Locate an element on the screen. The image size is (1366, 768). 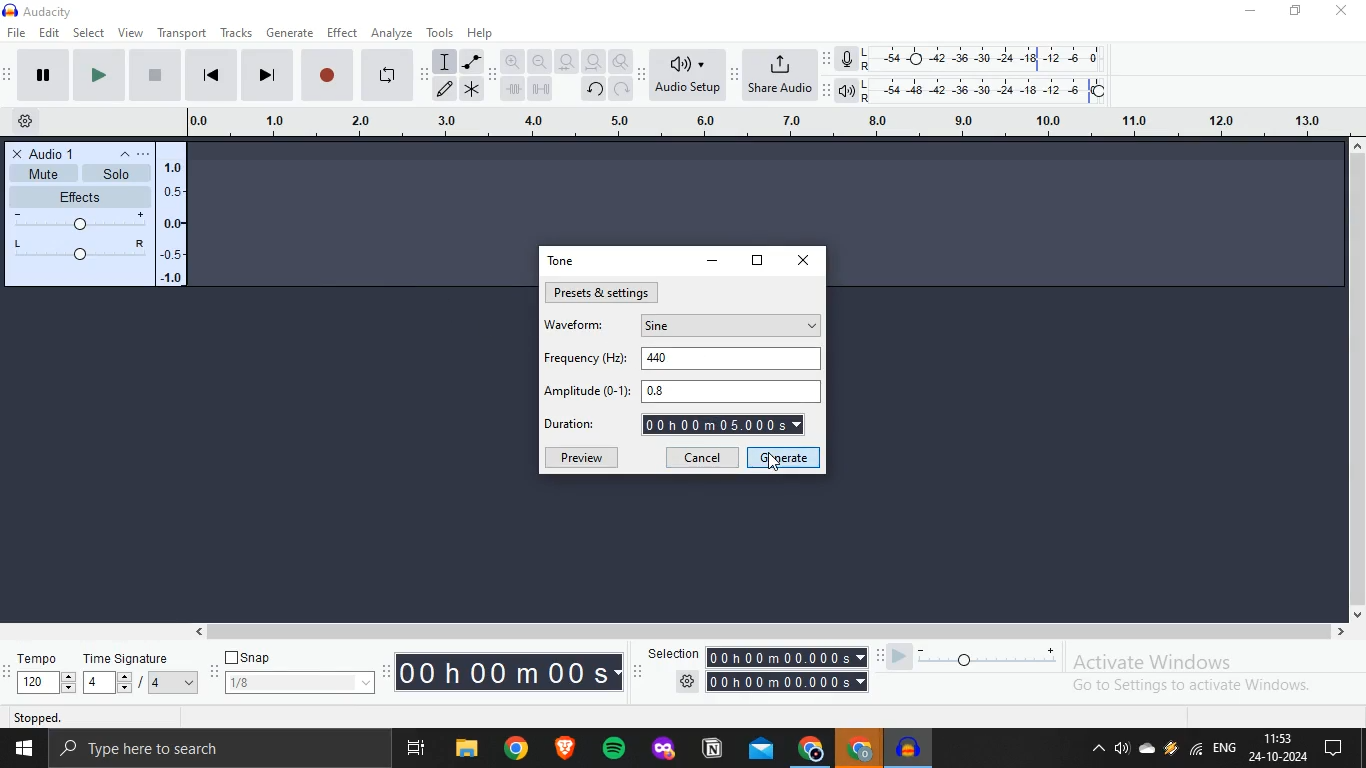
Preview is located at coordinates (583, 456).